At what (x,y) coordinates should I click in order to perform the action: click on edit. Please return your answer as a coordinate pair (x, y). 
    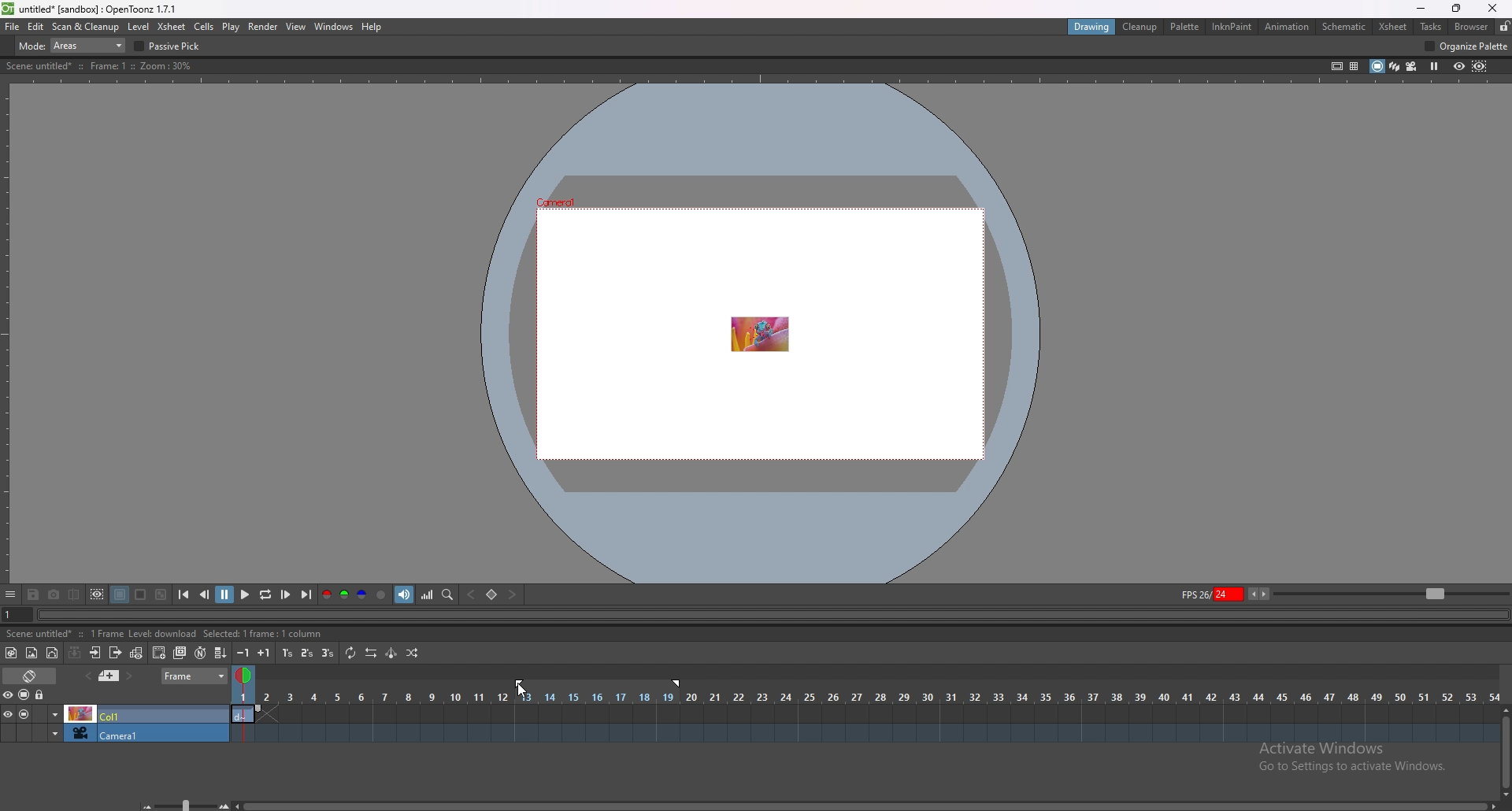
    Looking at the image, I should click on (36, 27).